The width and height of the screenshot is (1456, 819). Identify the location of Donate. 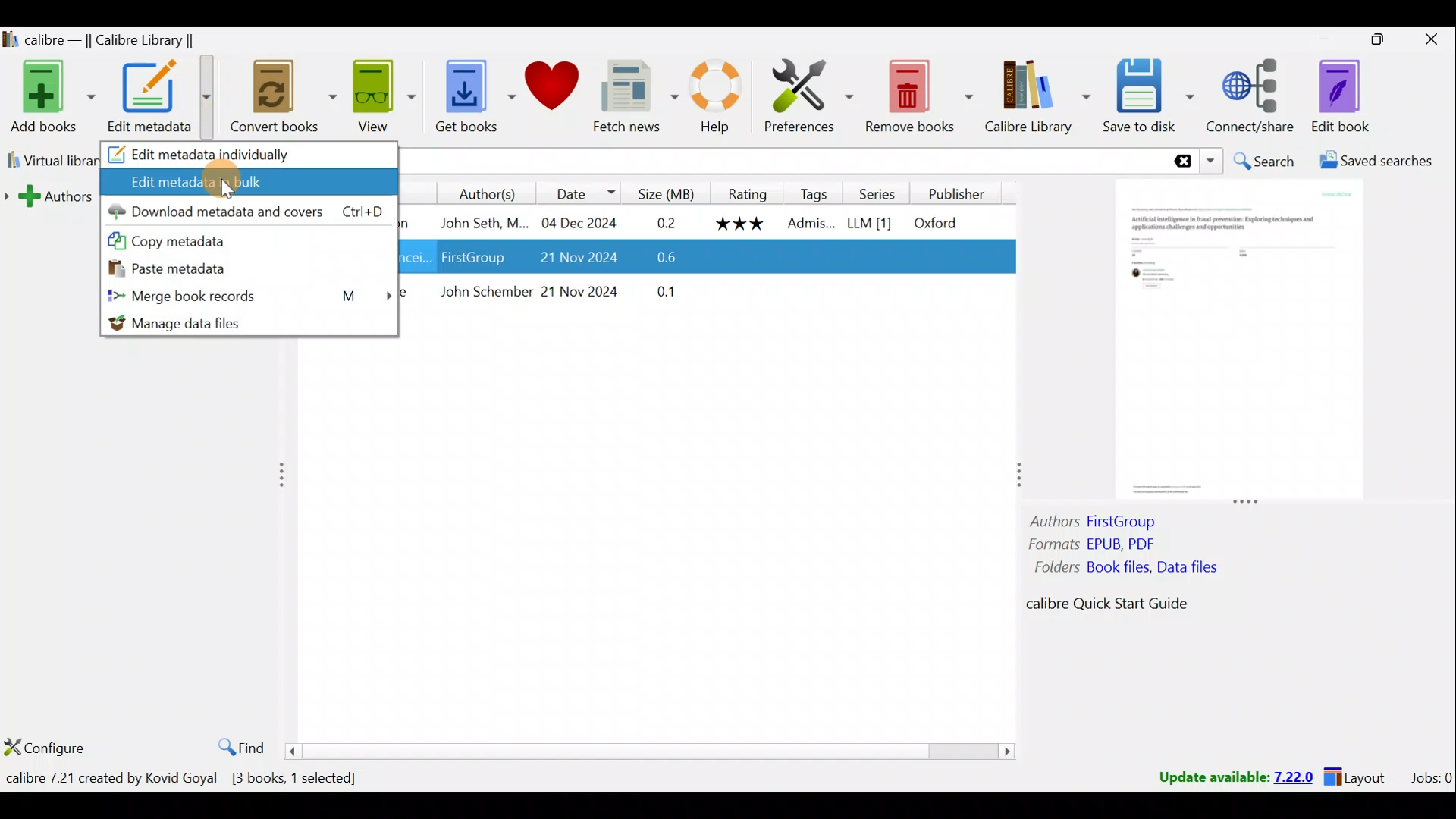
(545, 98).